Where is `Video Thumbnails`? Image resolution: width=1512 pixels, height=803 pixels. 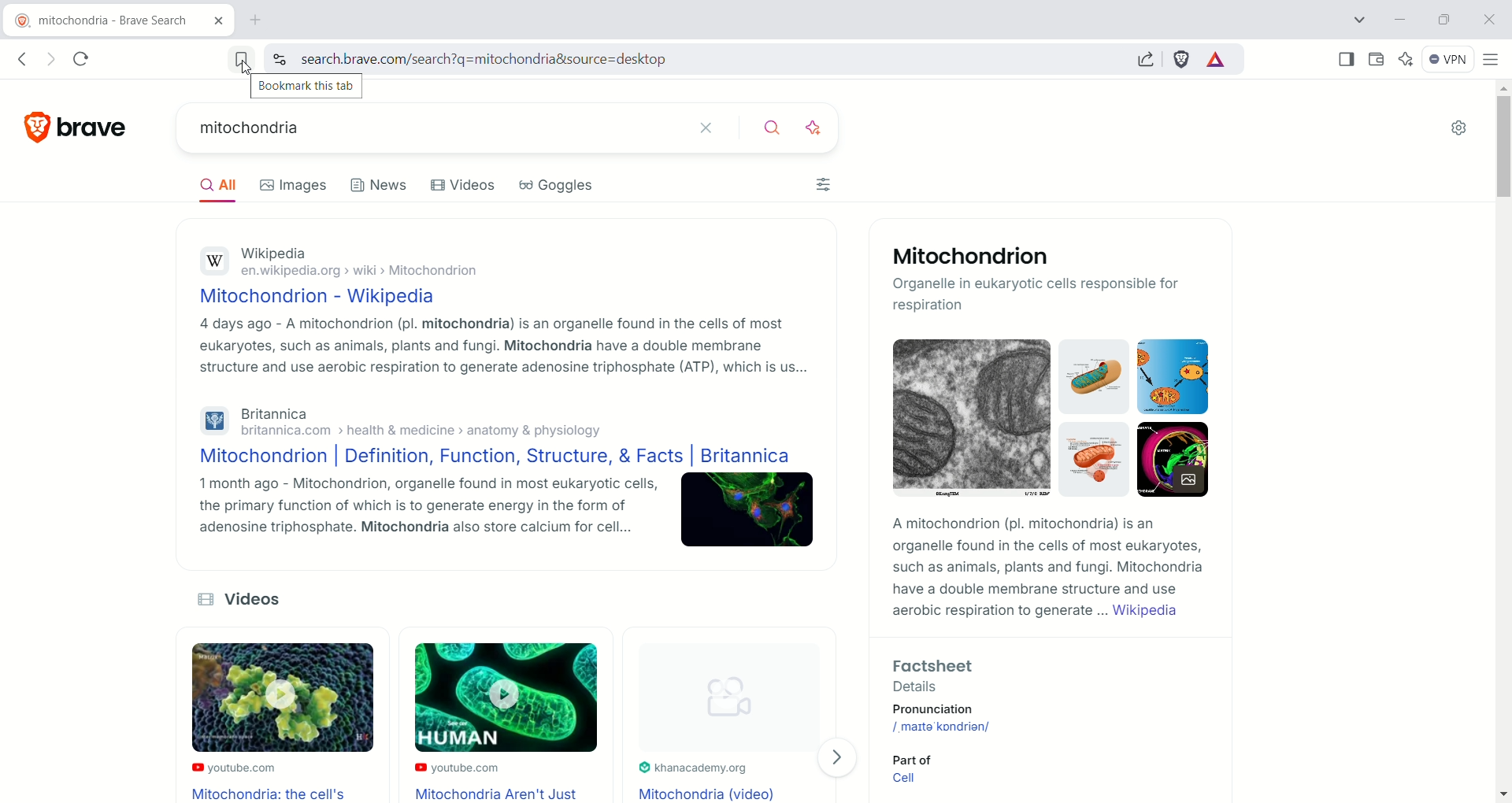 Video Thumbnails is located at coordinates (488, 701).